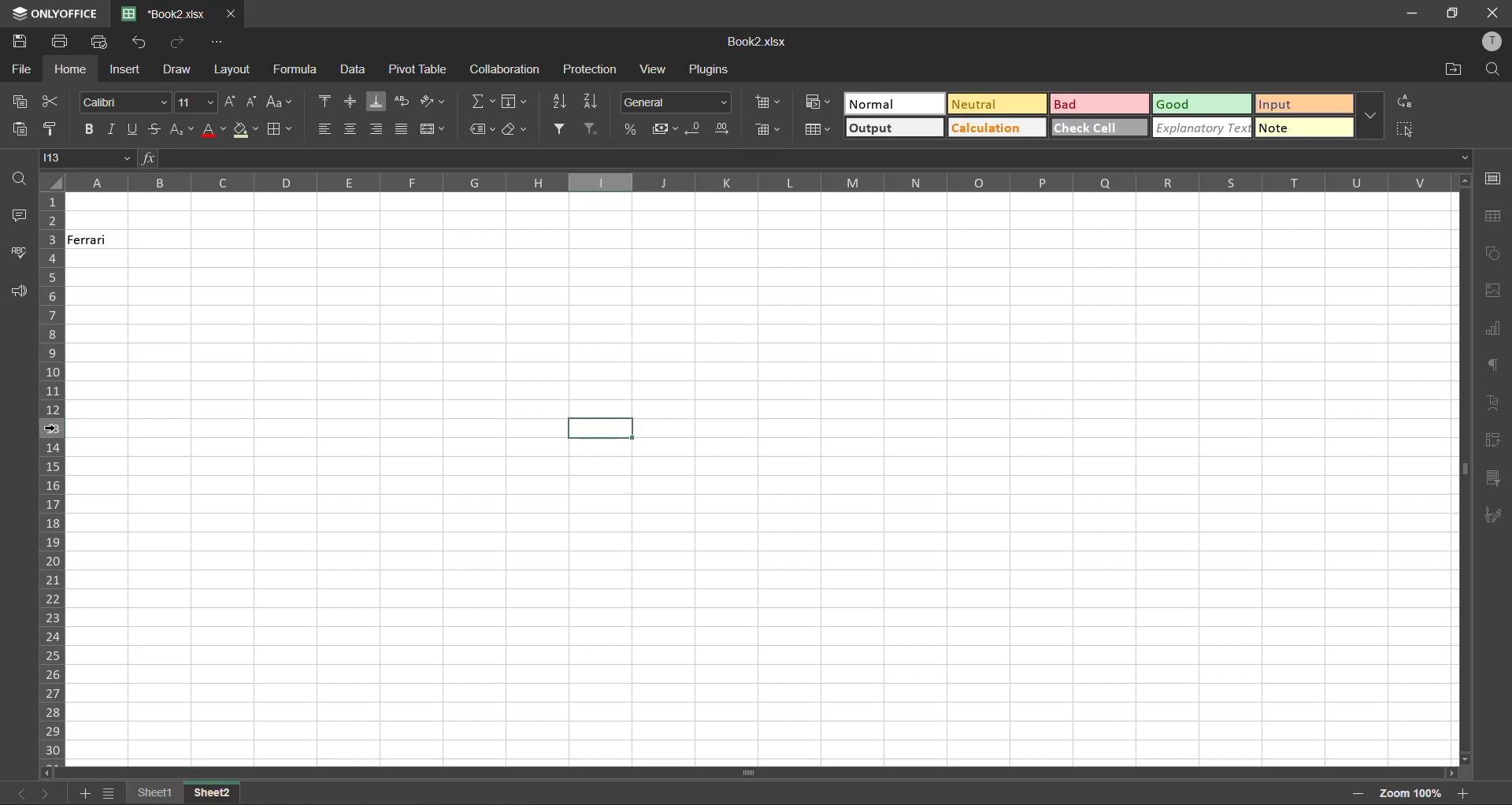 The height and width of the screenshot is (805, 1512). I want to click on cut, so click(52, 102).